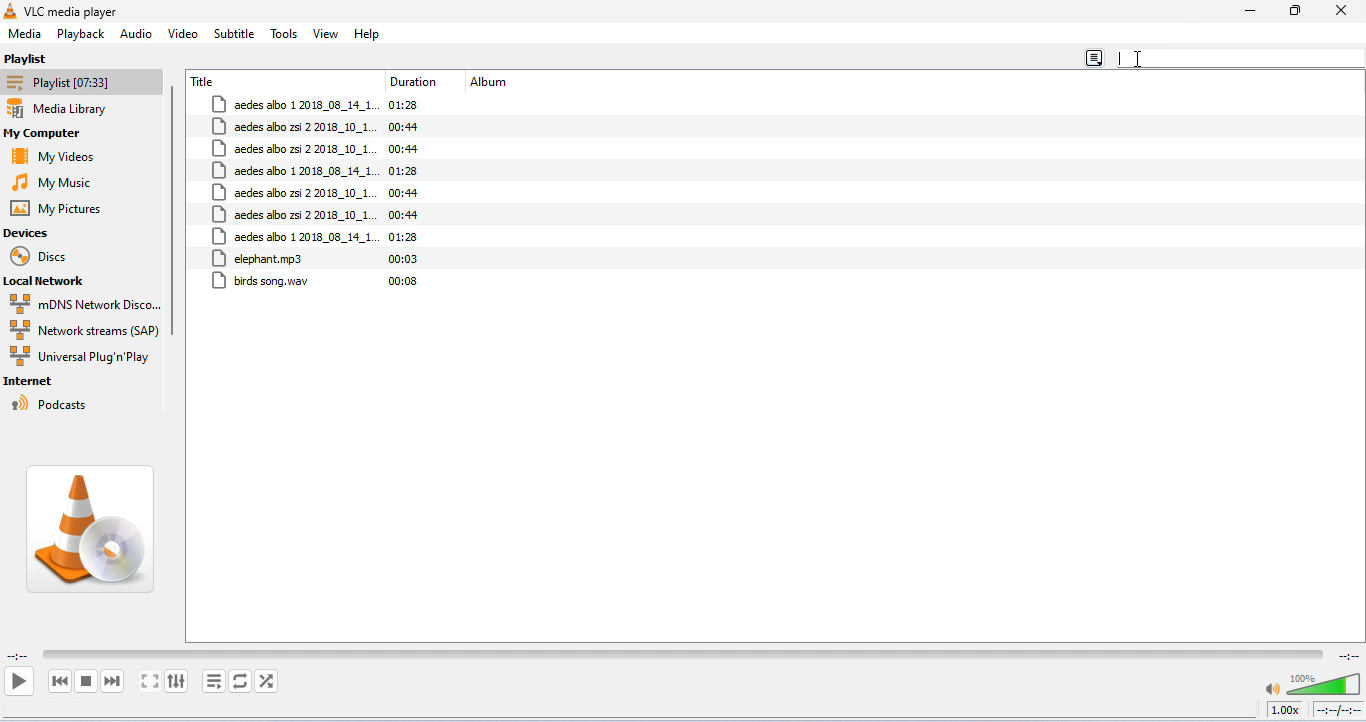 This screenshot has height=722, width=1366. I want to click on minimize, so click(1249, 12).